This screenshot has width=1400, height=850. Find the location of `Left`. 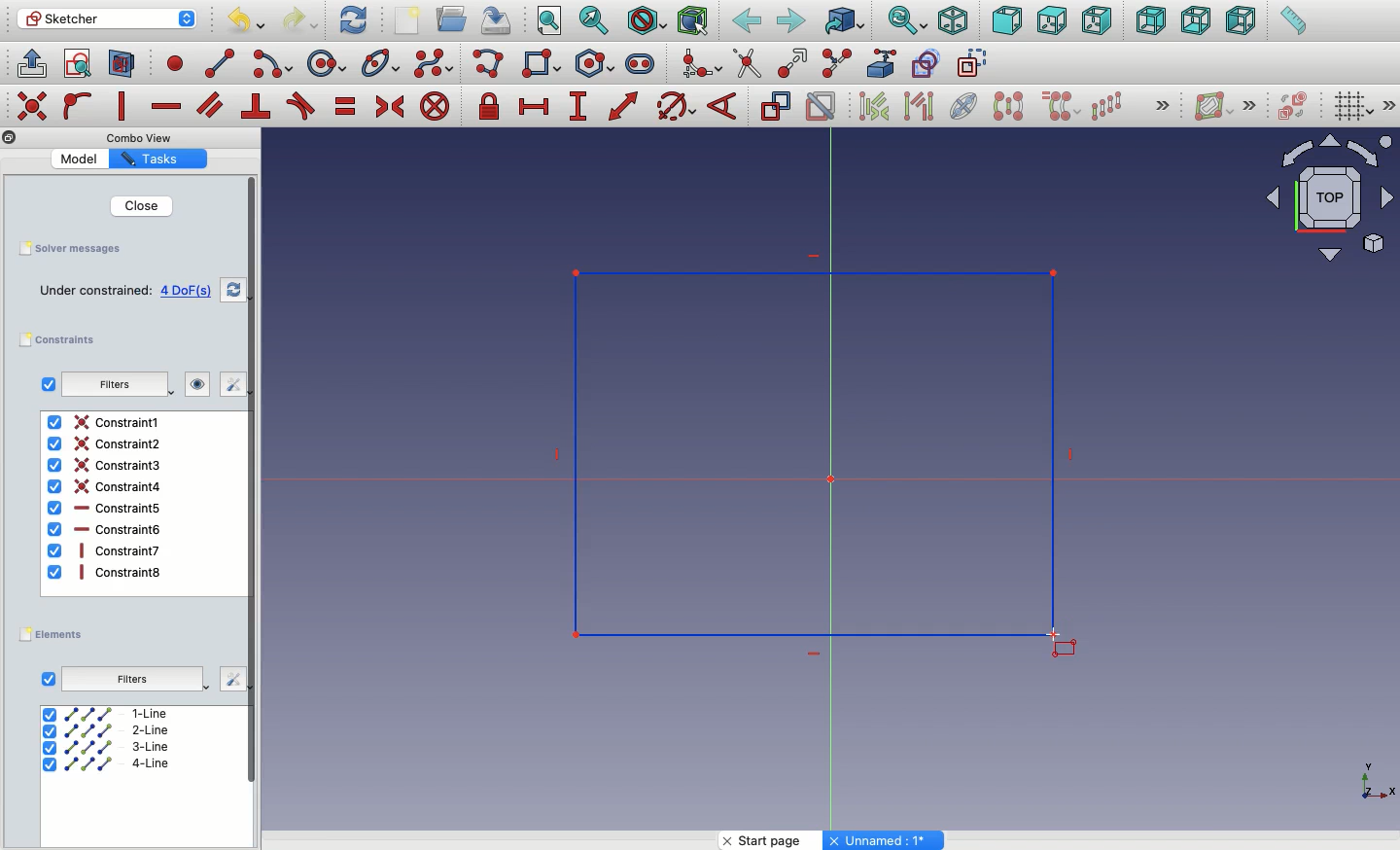

Left is located at coordinates (1240, 21).